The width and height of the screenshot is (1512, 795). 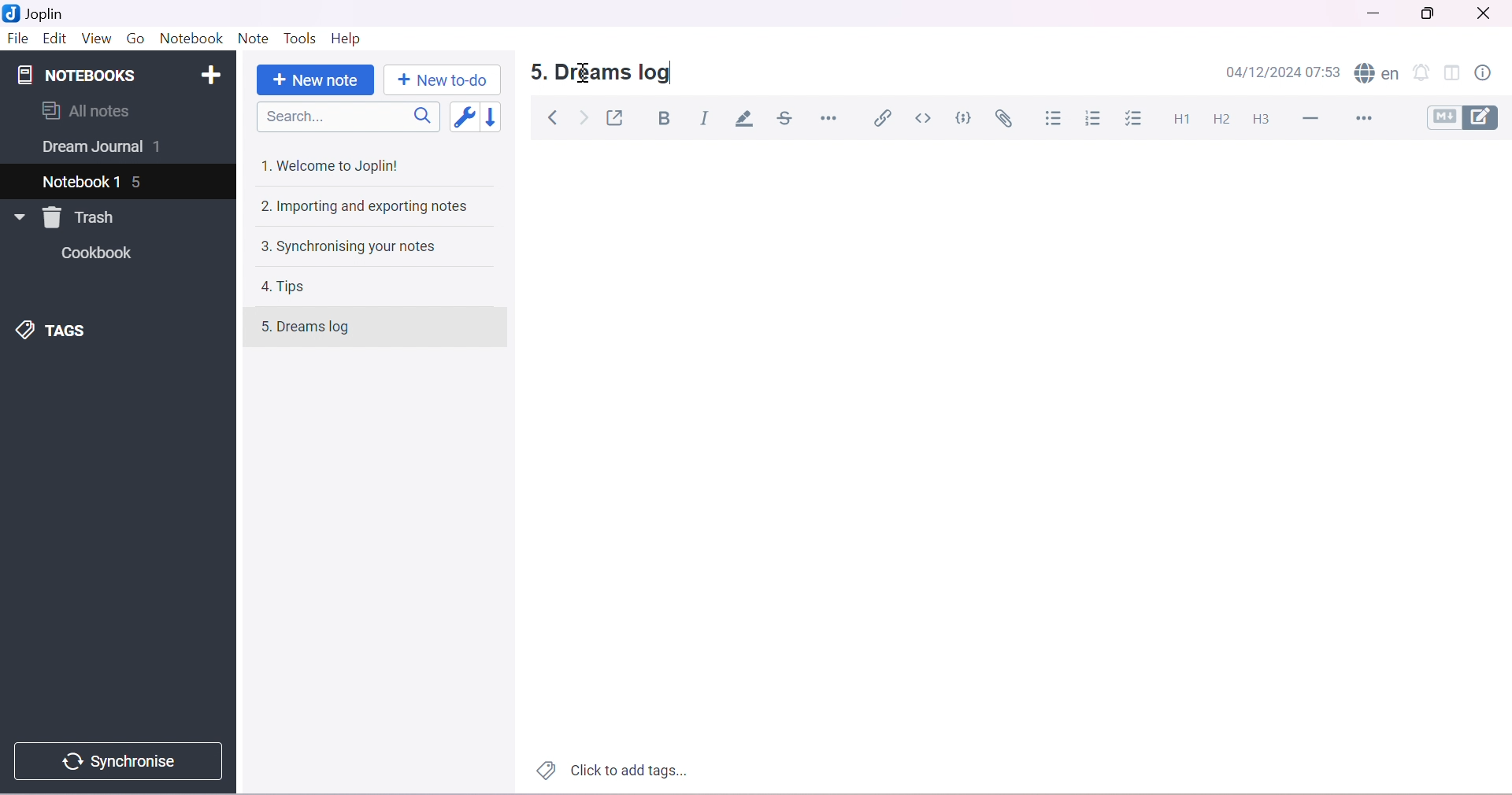 I want to click on Trash, so click(x=83, y=217).